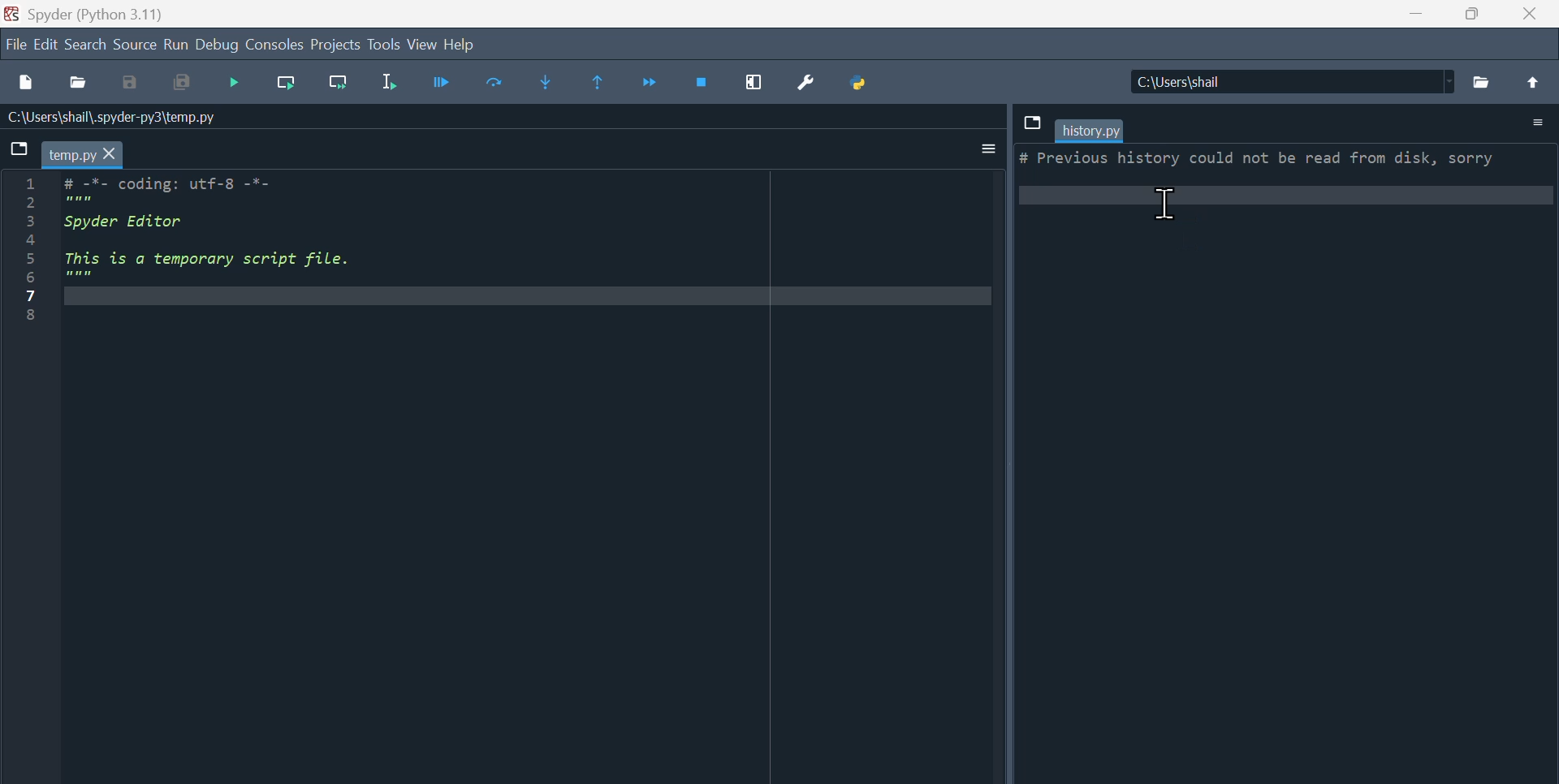 The width and height of the screenshot is (1559, 784). What do you see at coordinates (335, 45) in the screenshot?
I see `Projects` at bounding box center [335, 45].